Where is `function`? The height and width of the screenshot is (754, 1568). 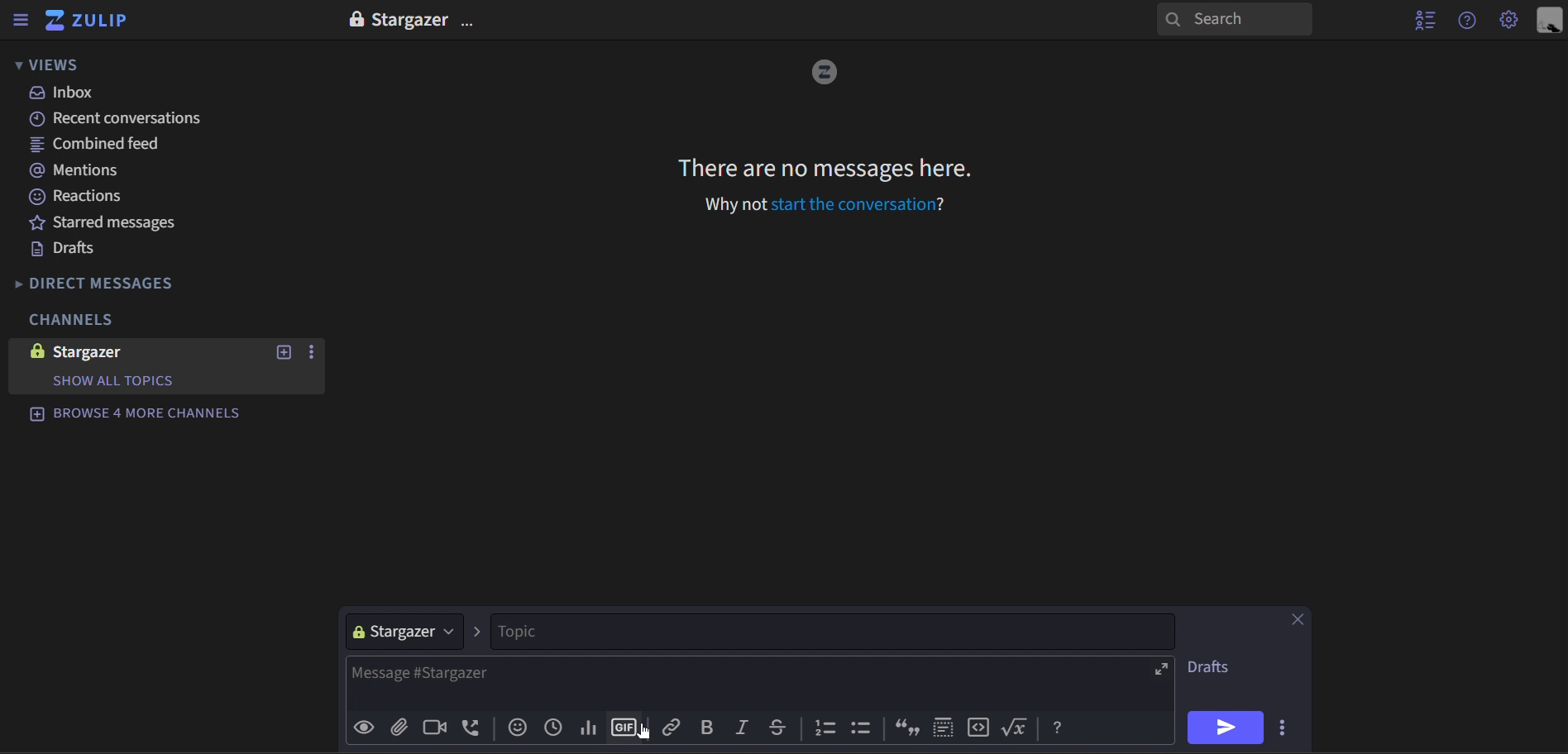
function is located at coordinates (1019, 726).